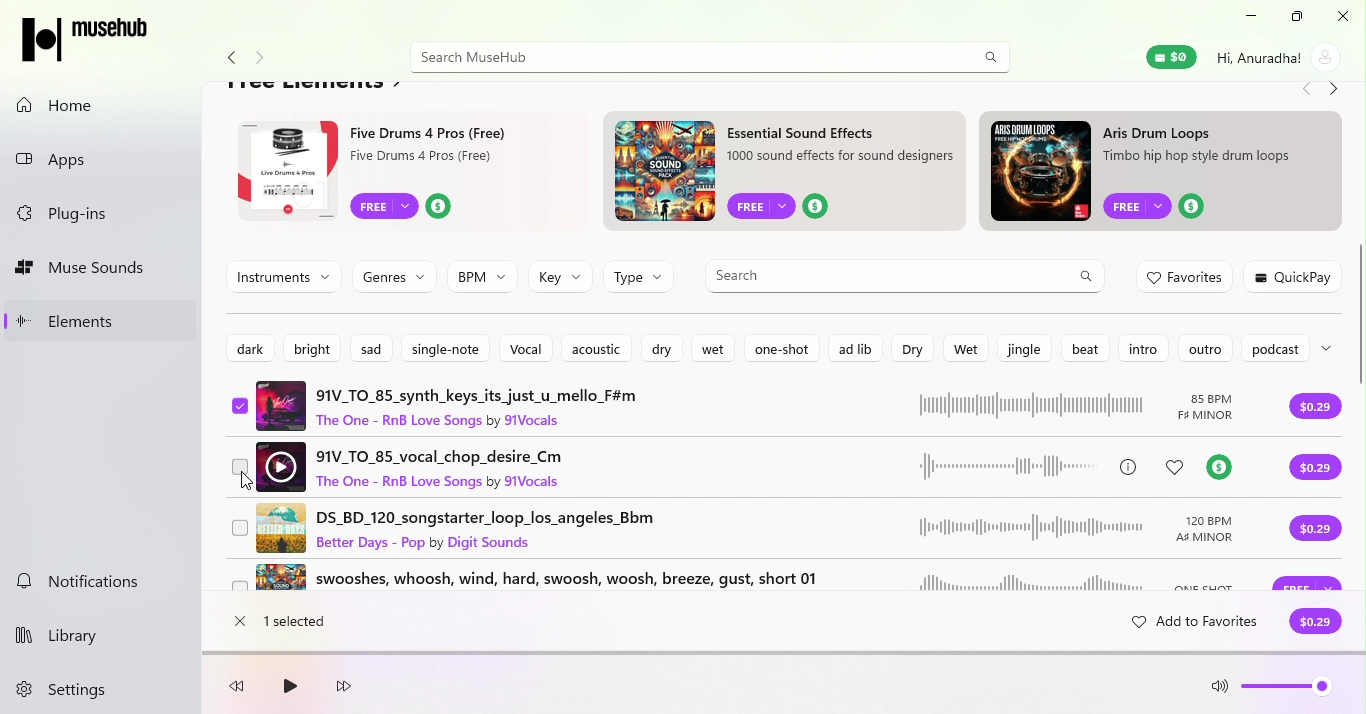  Describe the element at coordinates (1317, 469) in the screenshot. I see `Purchase` at that location.